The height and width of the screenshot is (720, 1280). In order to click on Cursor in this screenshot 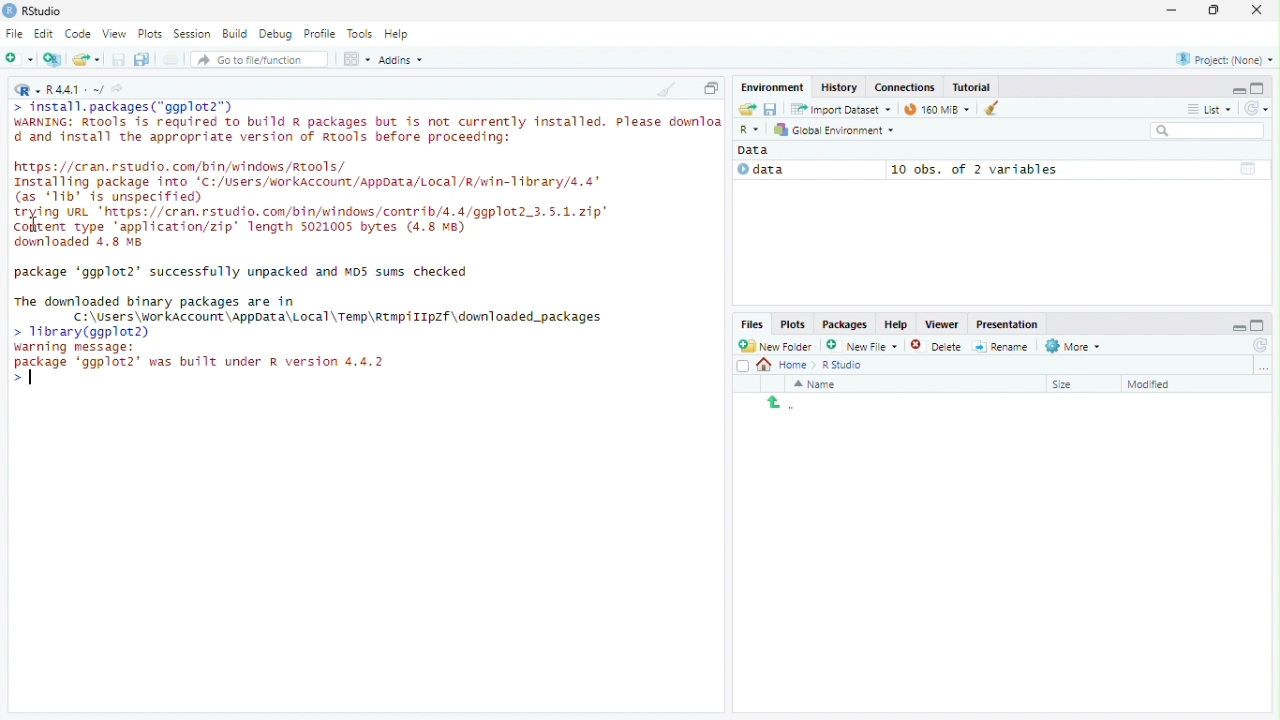, I will do `click(31, 376)`.